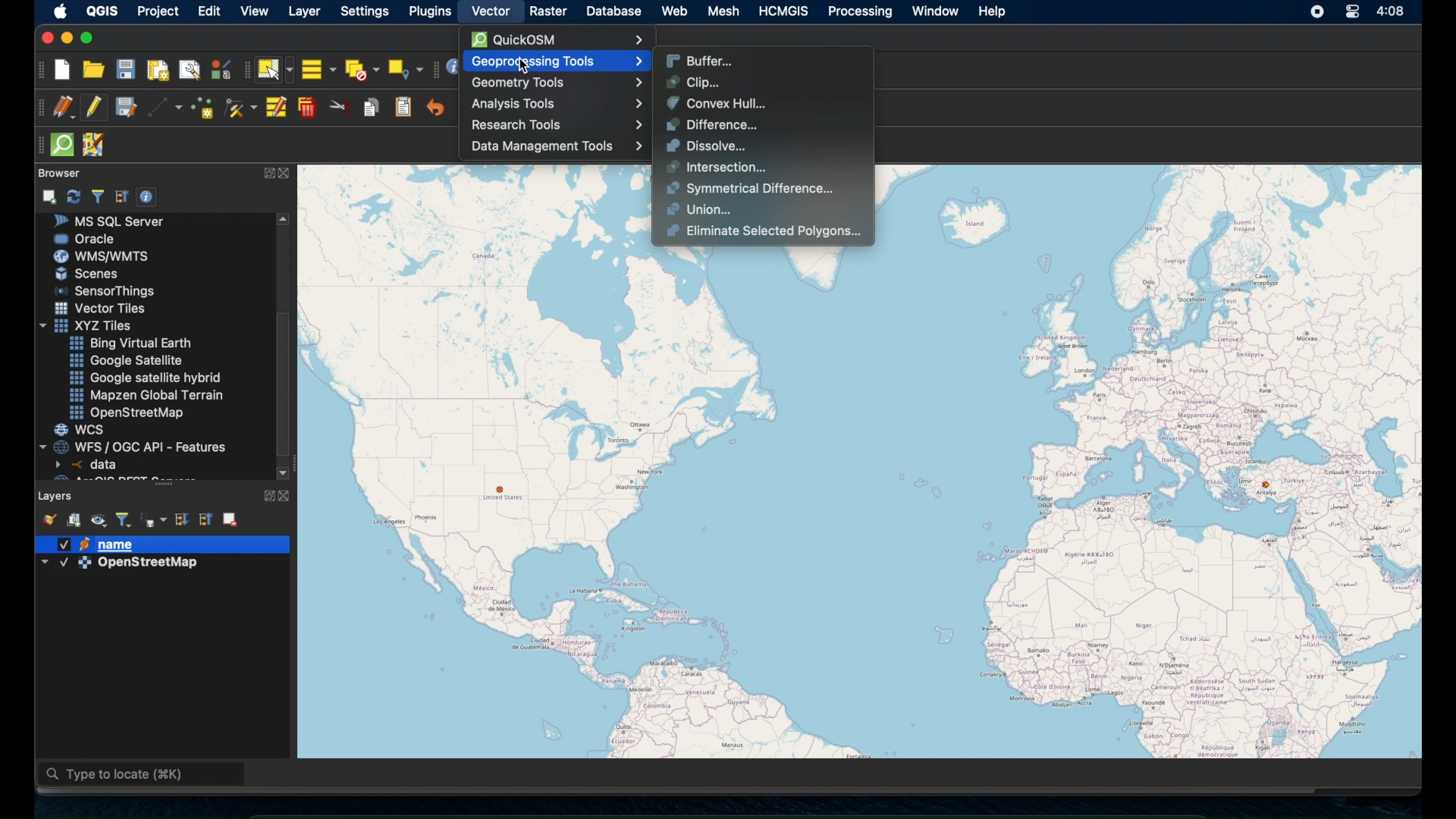  I want to click on Data Management Tools , so click(554, 146).